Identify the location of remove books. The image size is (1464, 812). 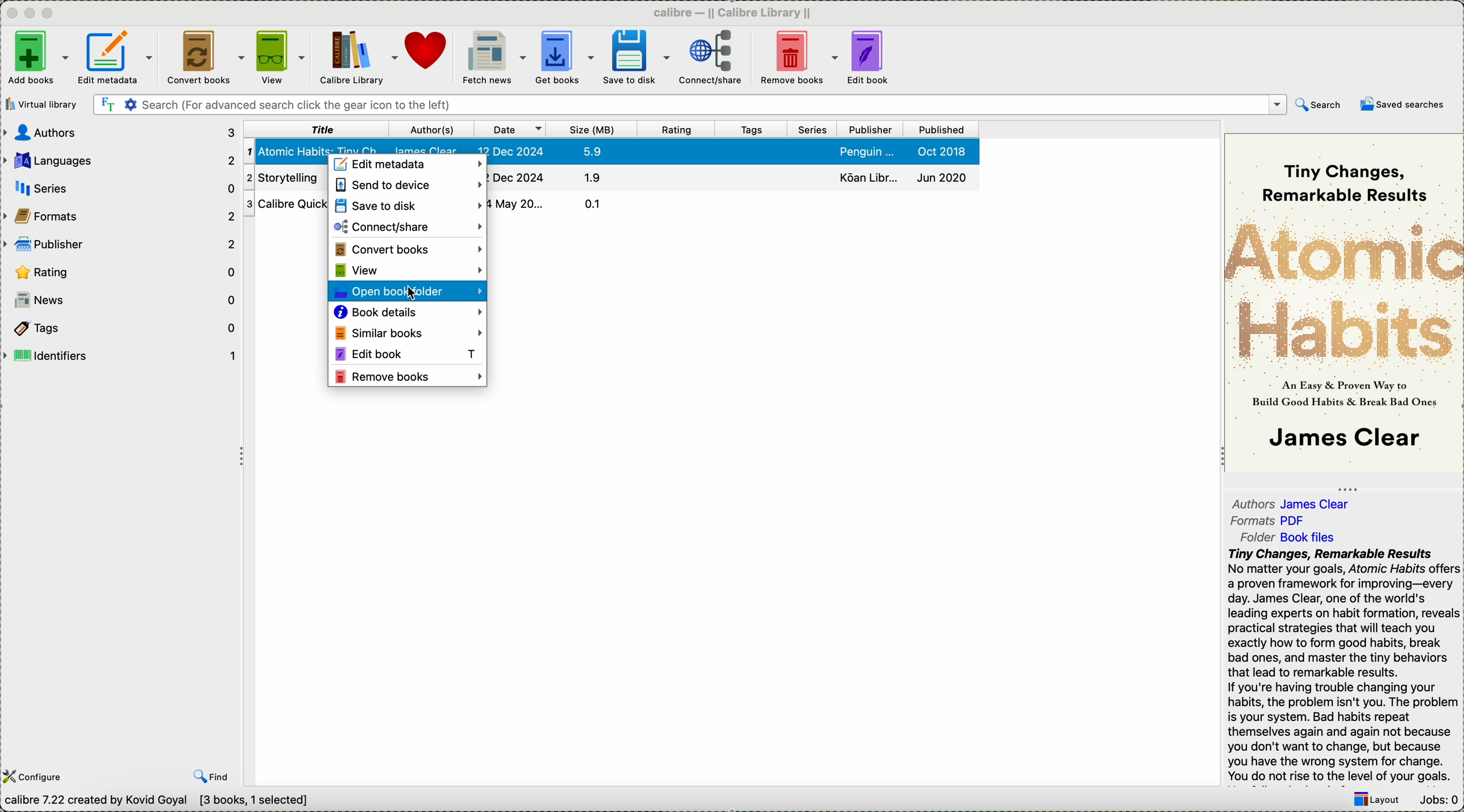
(409, 377).